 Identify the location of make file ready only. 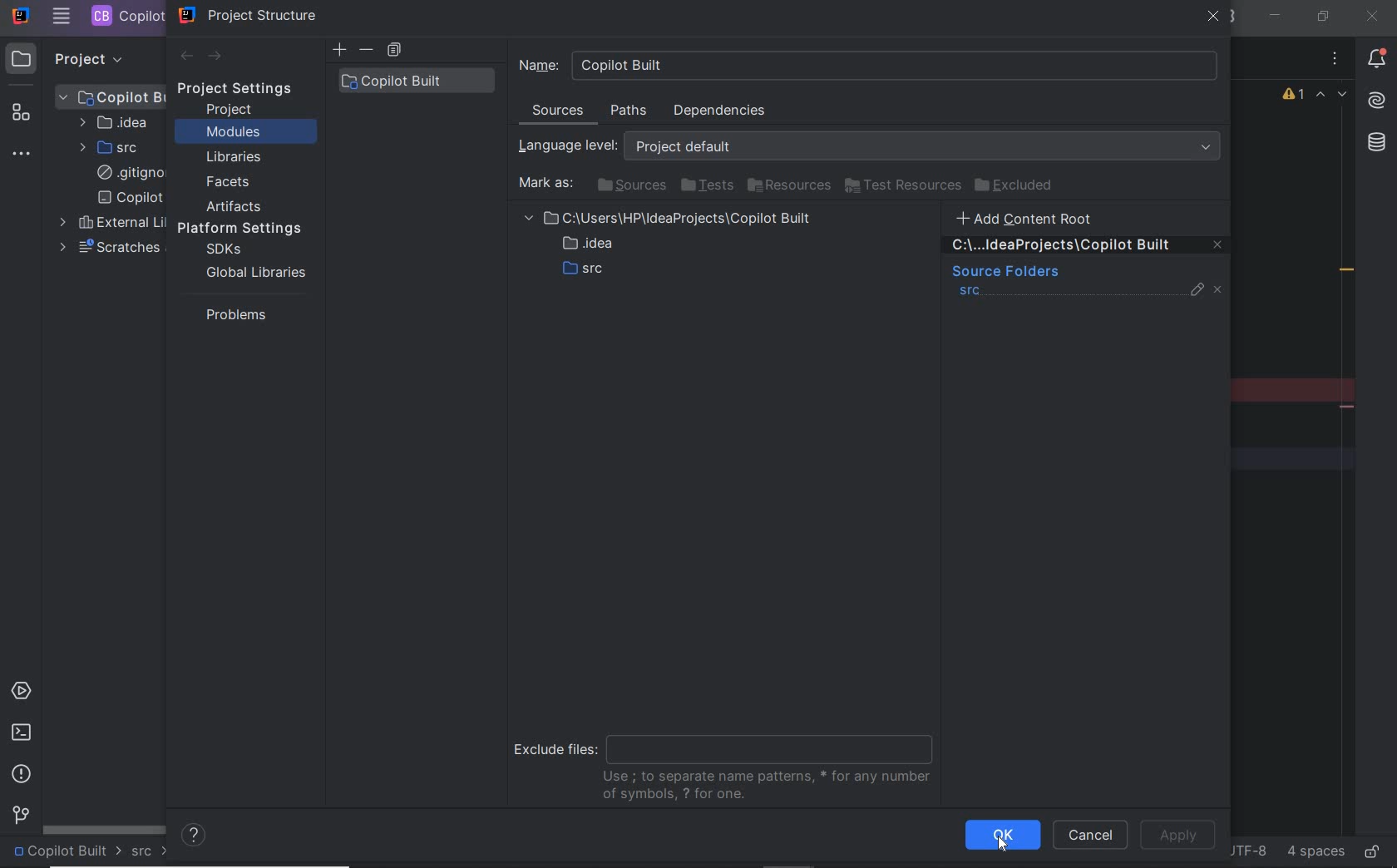
(1371, 851).